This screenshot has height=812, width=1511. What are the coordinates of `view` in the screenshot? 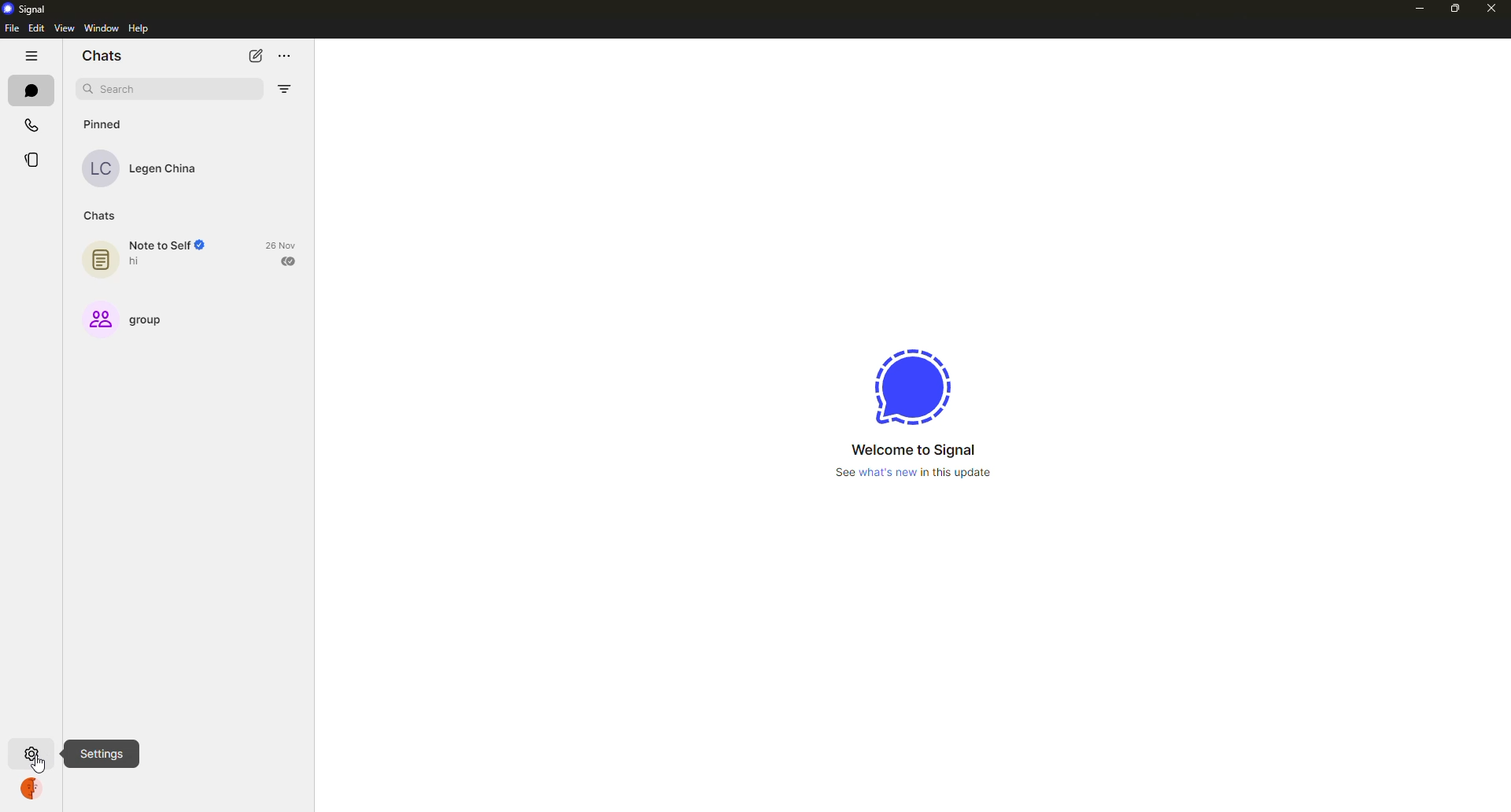 It's located at (62, 28).